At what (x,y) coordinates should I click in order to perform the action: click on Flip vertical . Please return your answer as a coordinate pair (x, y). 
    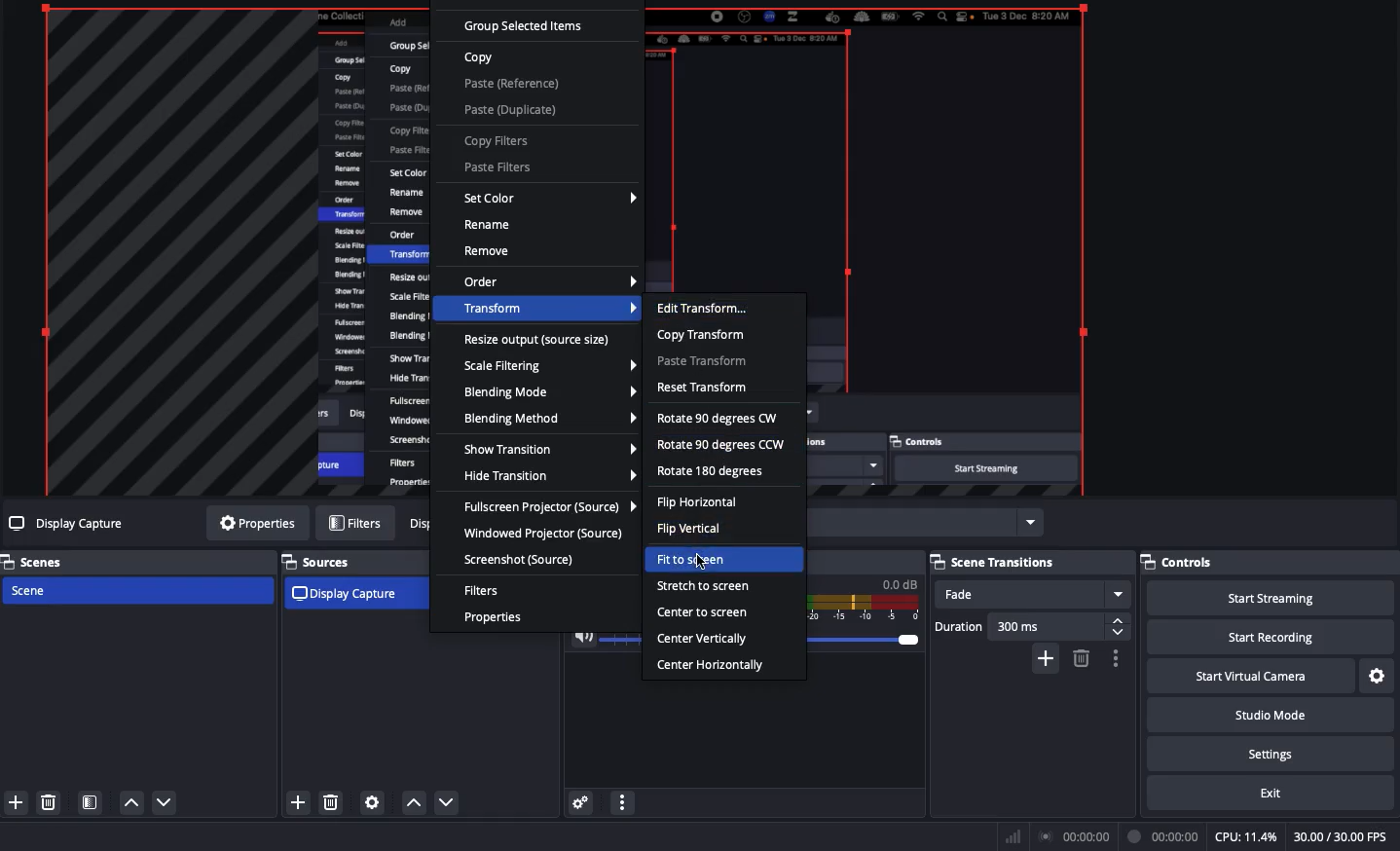
    Looking at the image, I should click on (688, 531).